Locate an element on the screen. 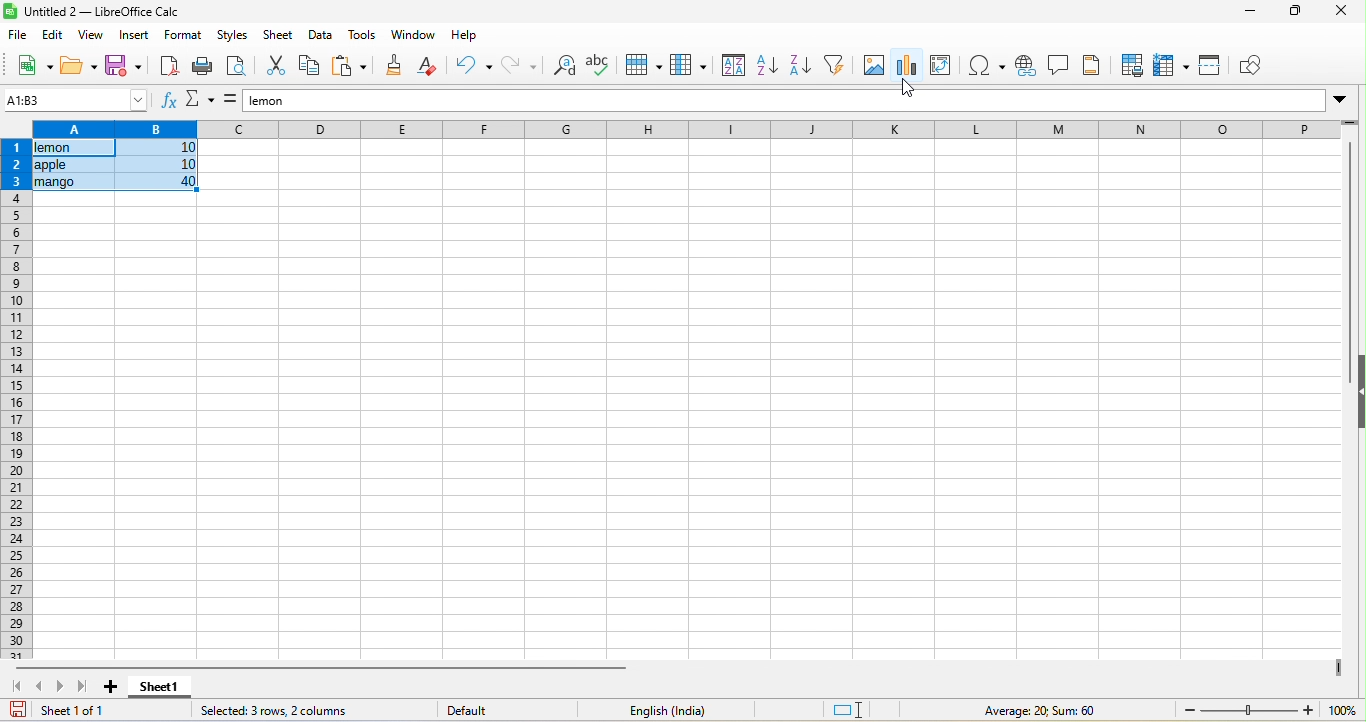  clone formatting is located at coordinates (392, 67).